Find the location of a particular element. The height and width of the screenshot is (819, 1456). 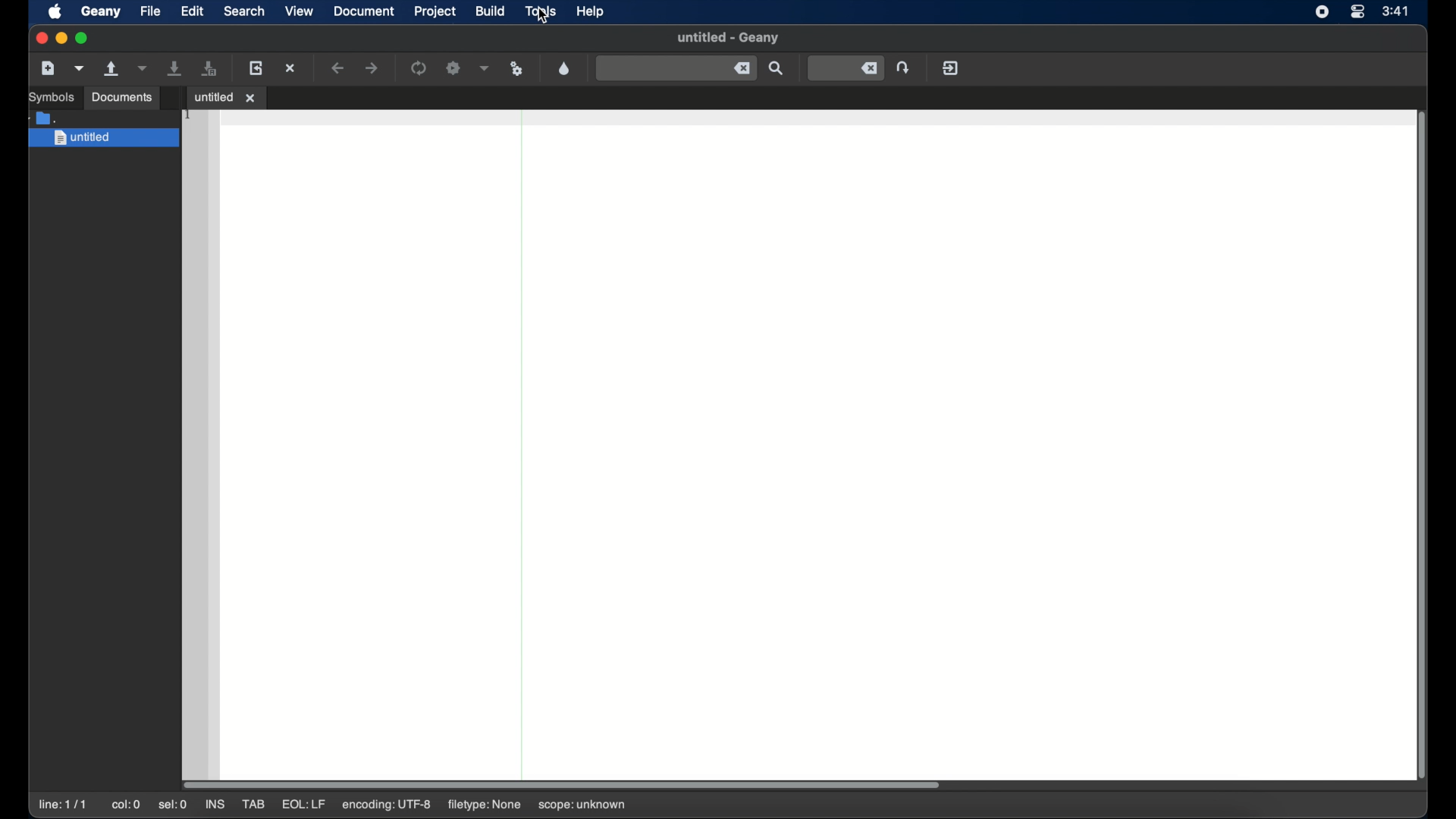

time is located at coordinates (1395, 10).